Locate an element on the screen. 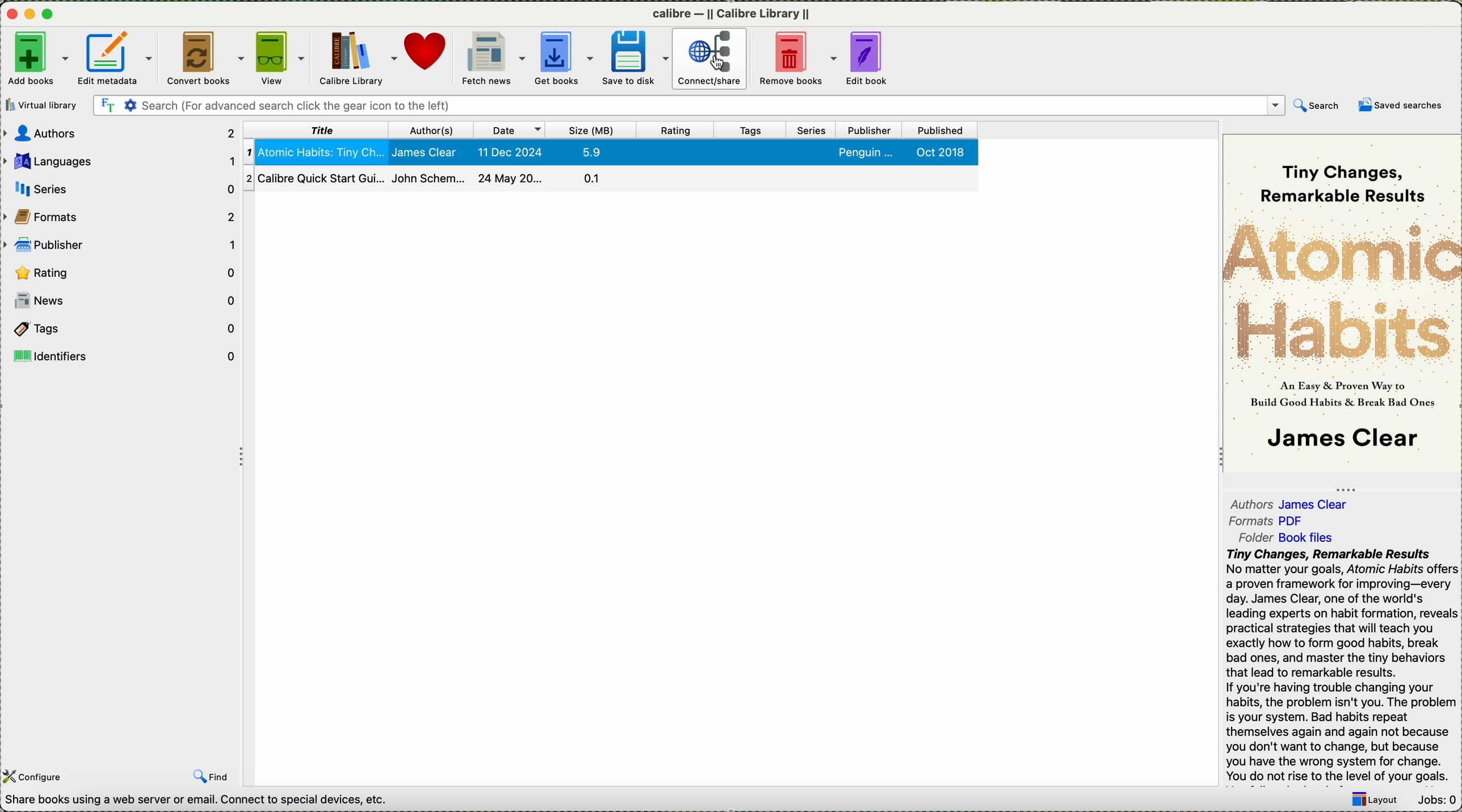 This screenshot has width=1462, height=812. rating is located at coordinates (676, 129).